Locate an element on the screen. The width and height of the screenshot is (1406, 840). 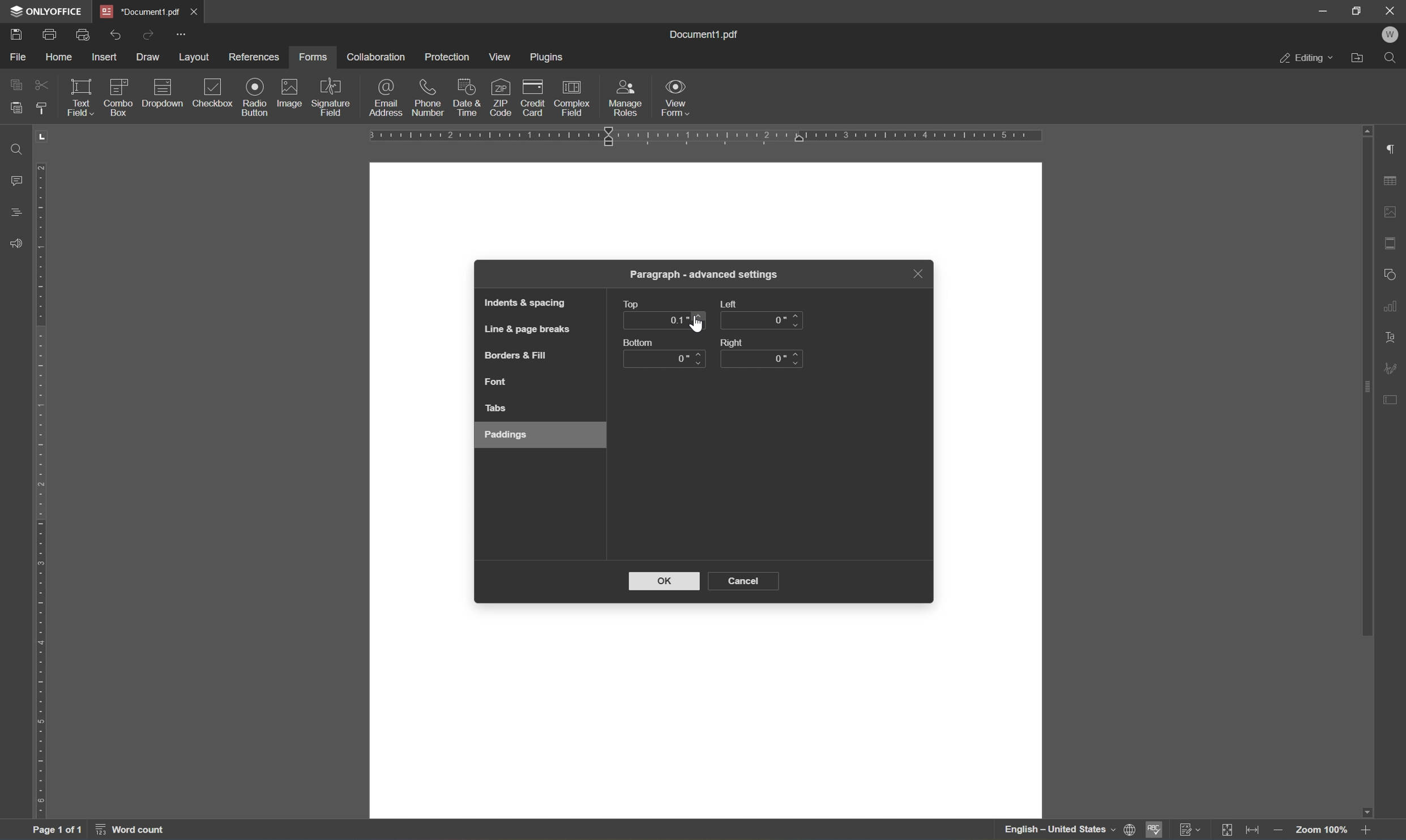
copy style is located at coordinates (41, 108).